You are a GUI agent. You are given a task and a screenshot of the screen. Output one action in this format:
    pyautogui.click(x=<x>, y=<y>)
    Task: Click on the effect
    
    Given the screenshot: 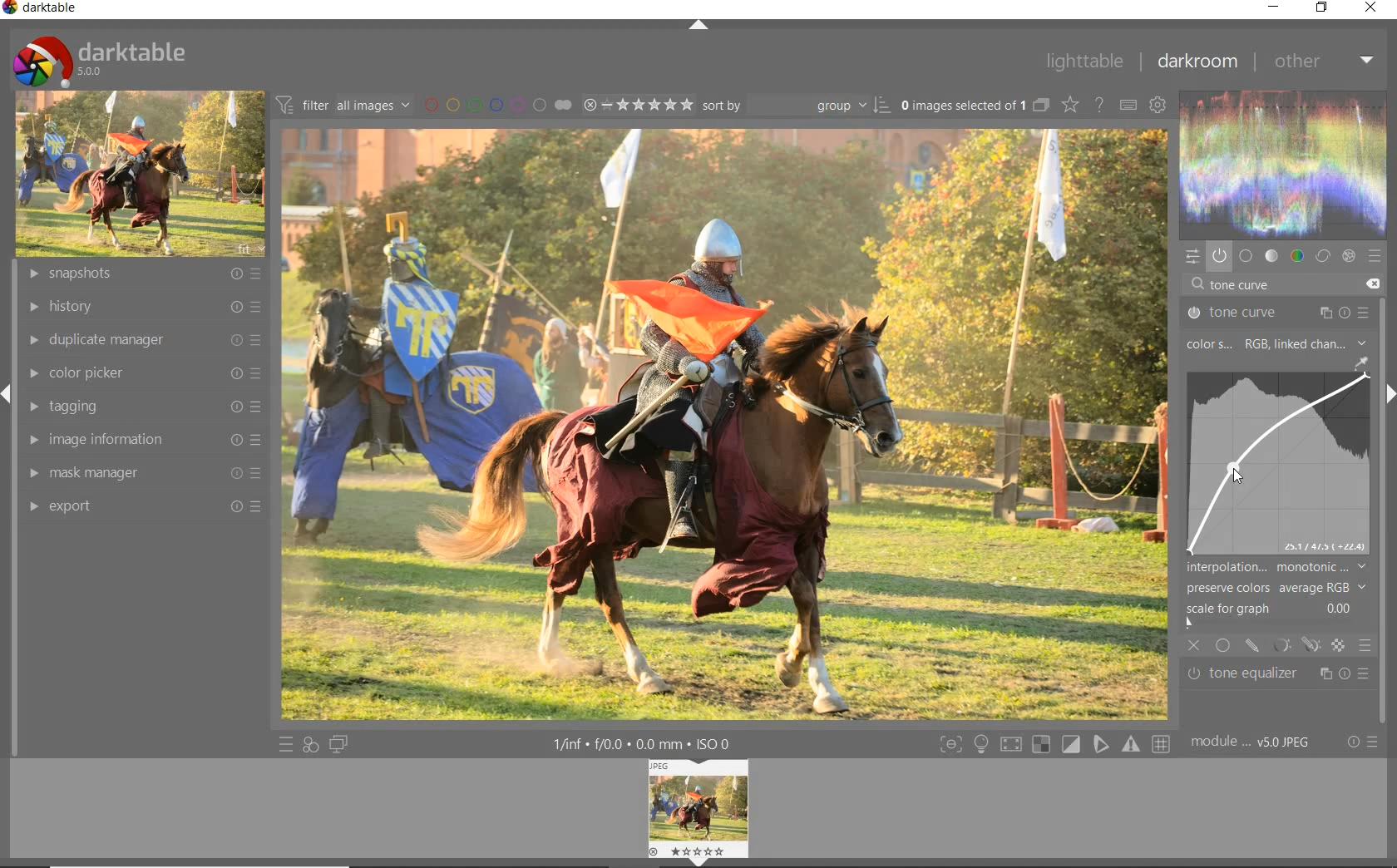 What is the action you would take?
    pyautogui.click(x=1347, y=256)
    